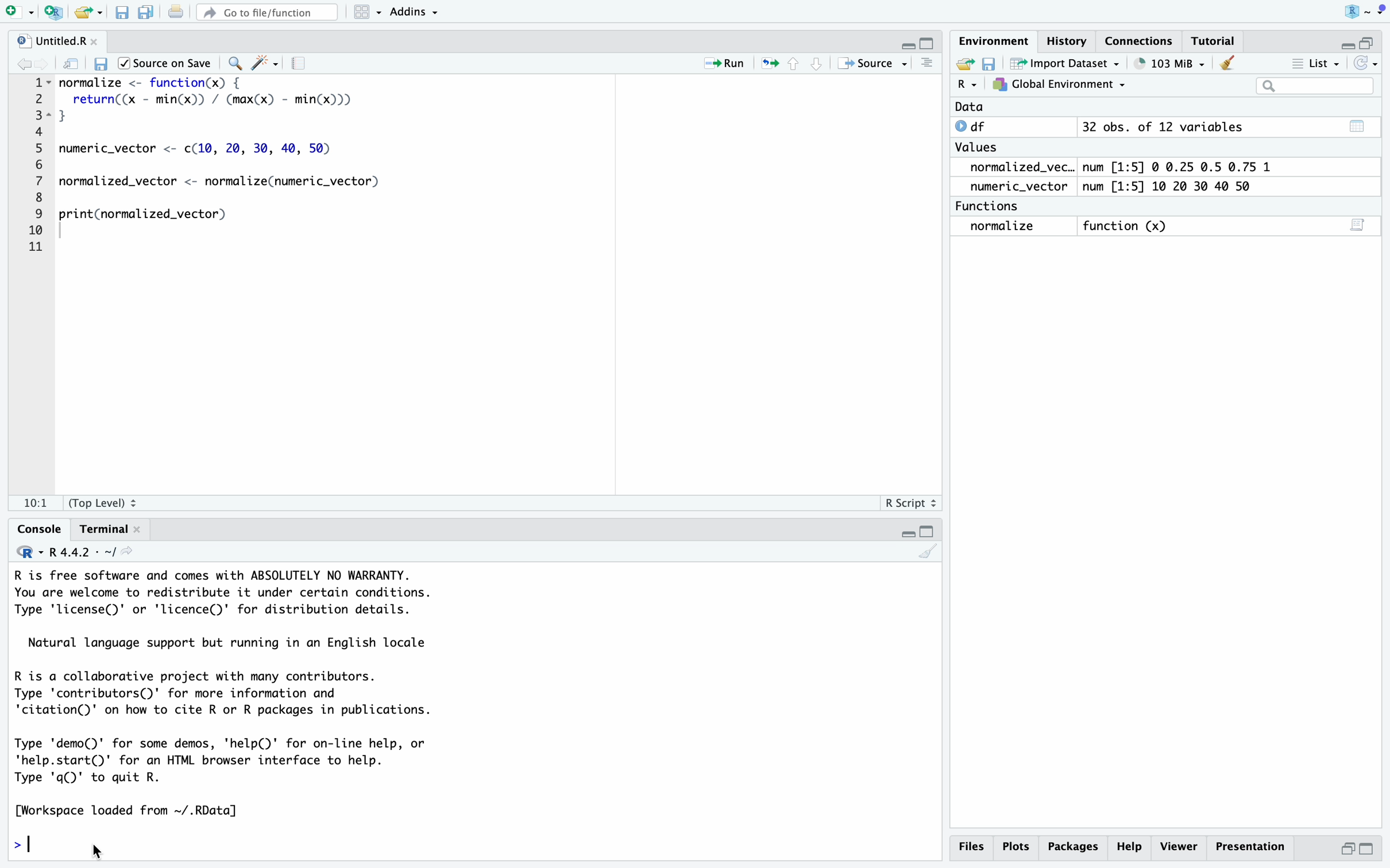  I want to click on Print the current file, so click(176, 14).